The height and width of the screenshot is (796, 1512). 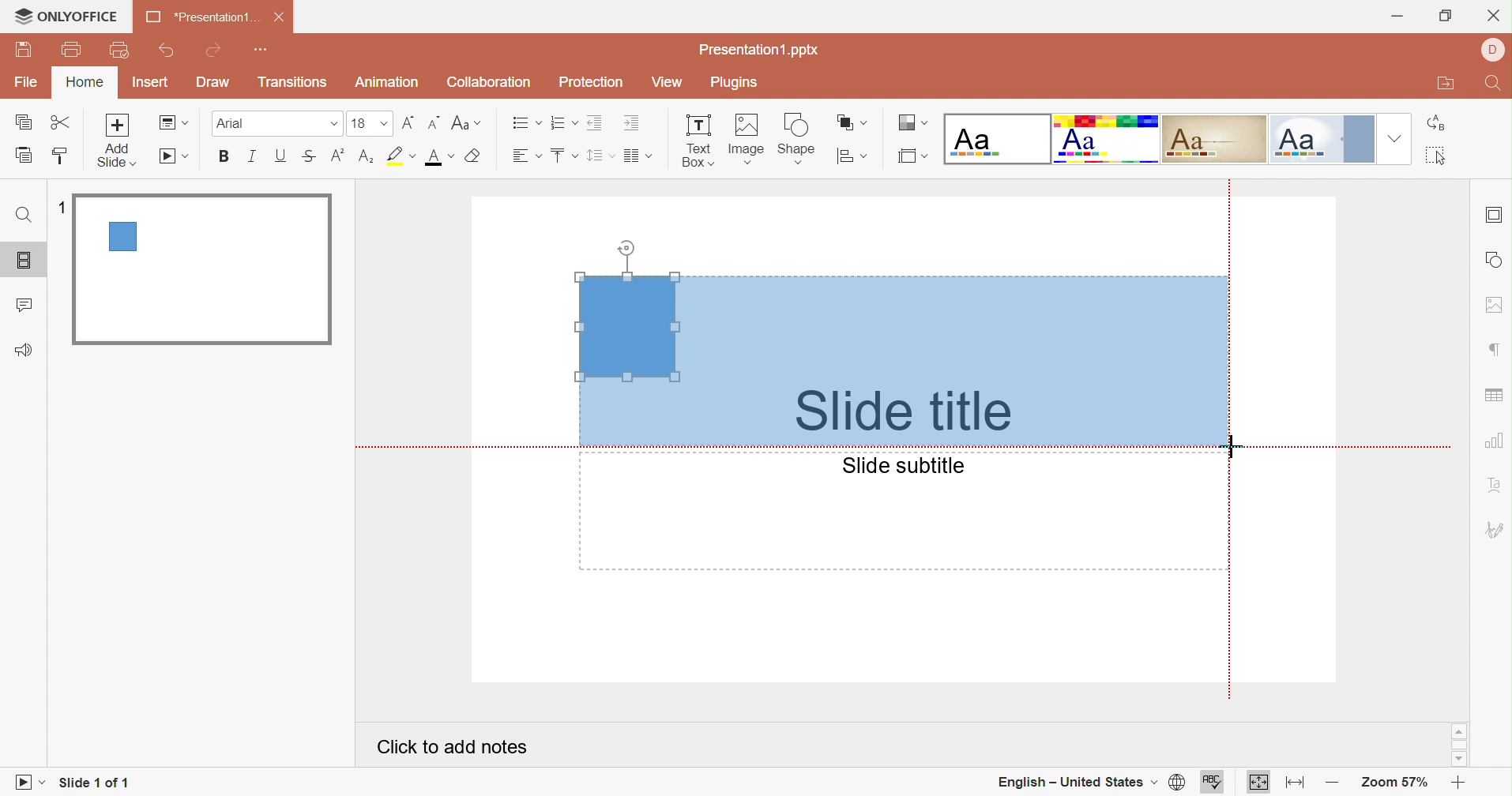 What do you see at coordinates (746, 141) in the screenshot?
I see `Image` at bounding box center [746, 141].